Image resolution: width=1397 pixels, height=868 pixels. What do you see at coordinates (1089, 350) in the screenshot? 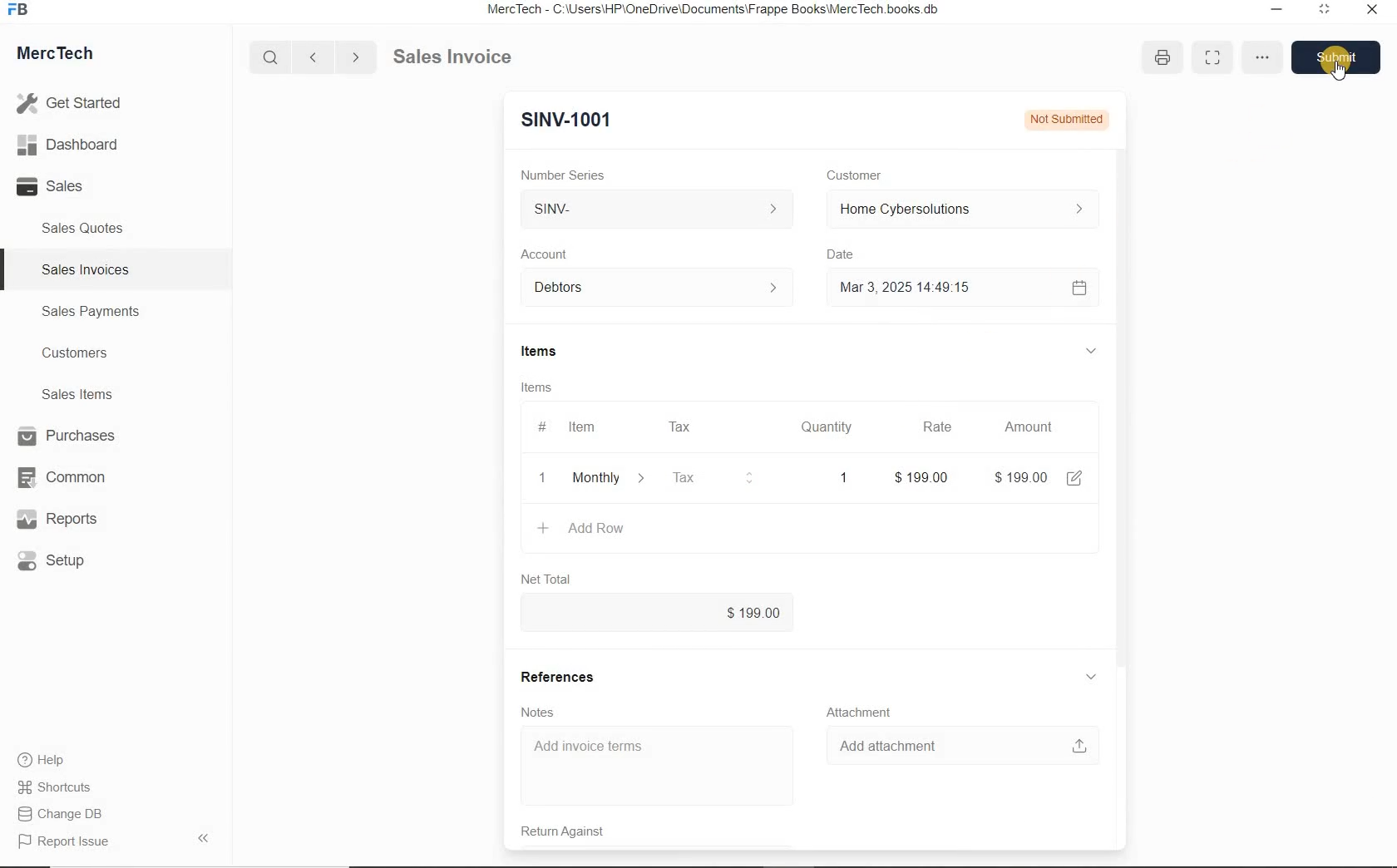
I see `hide sub menu` at bounding box center [1089, 350].